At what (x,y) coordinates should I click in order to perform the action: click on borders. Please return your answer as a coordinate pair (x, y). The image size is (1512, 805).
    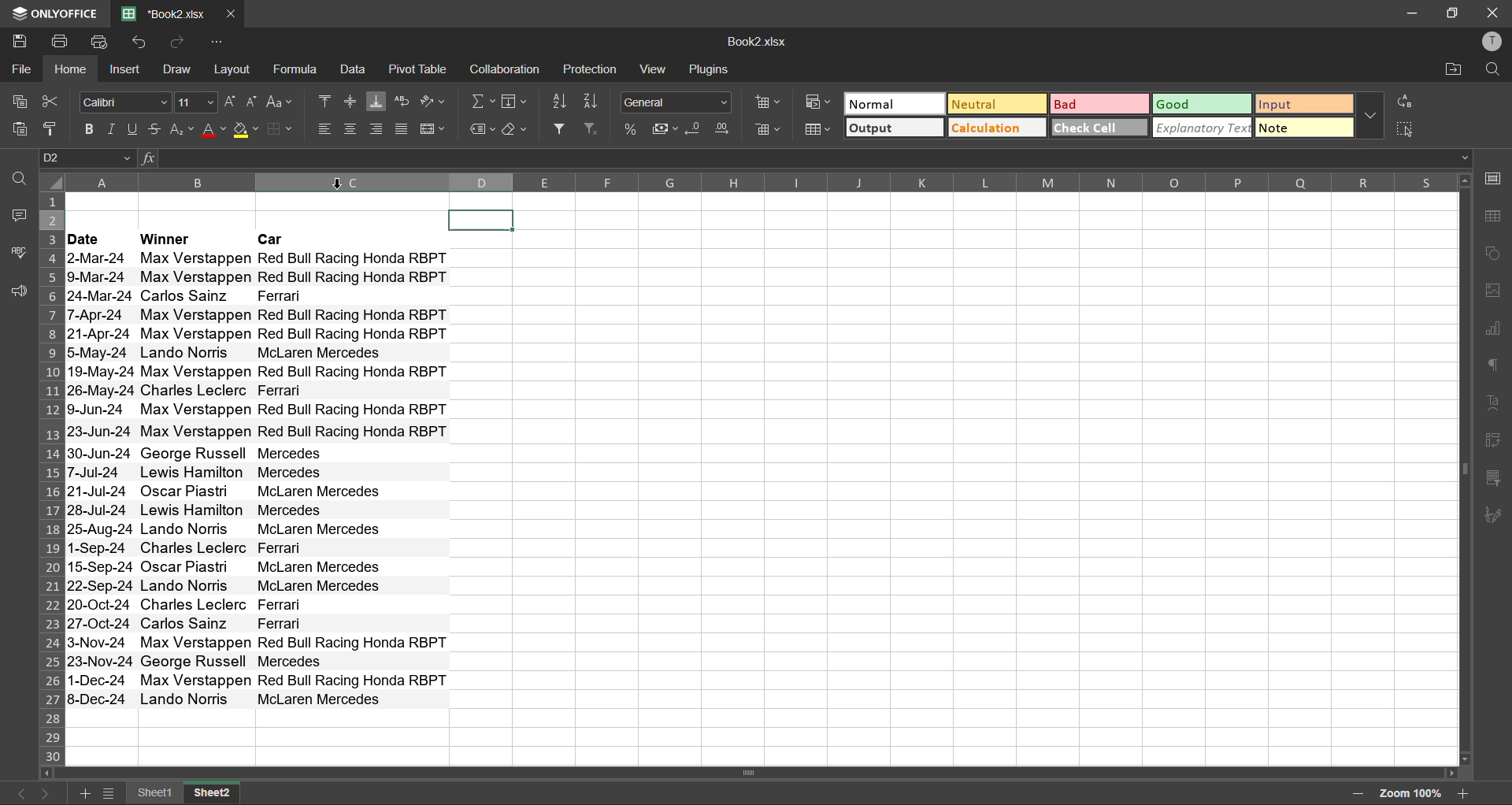
    Looking at the image, I should click on (287, 131).